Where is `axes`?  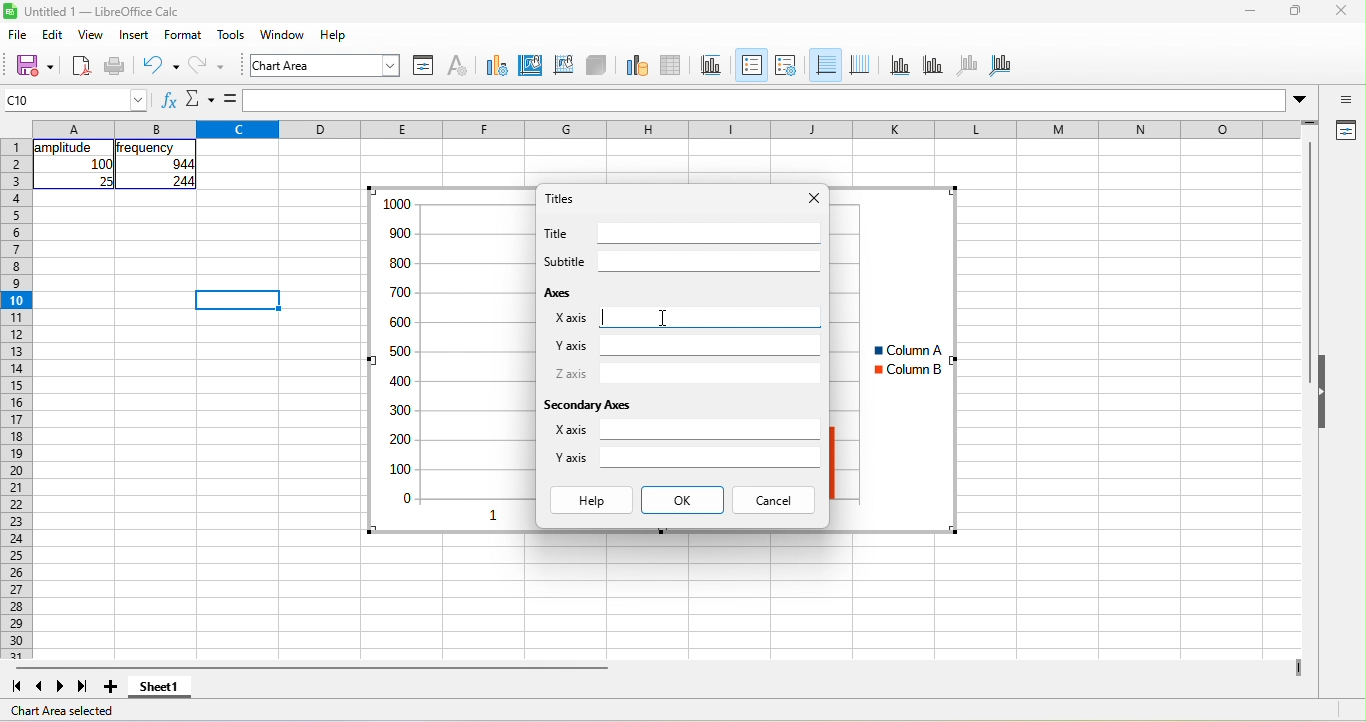 axes is located at coordinates (560, 292).